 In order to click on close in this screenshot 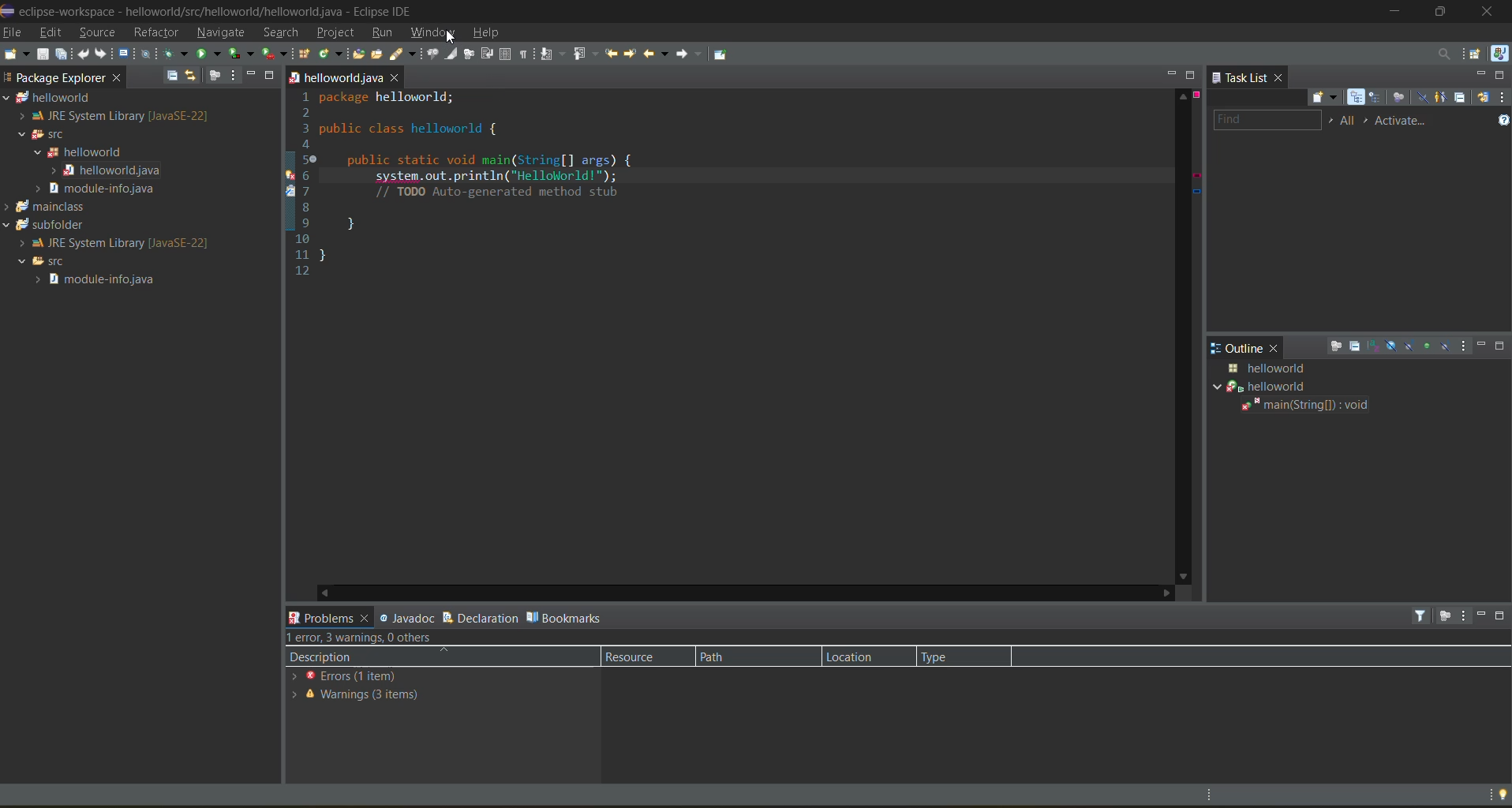, I will do `click(118, 80)`.